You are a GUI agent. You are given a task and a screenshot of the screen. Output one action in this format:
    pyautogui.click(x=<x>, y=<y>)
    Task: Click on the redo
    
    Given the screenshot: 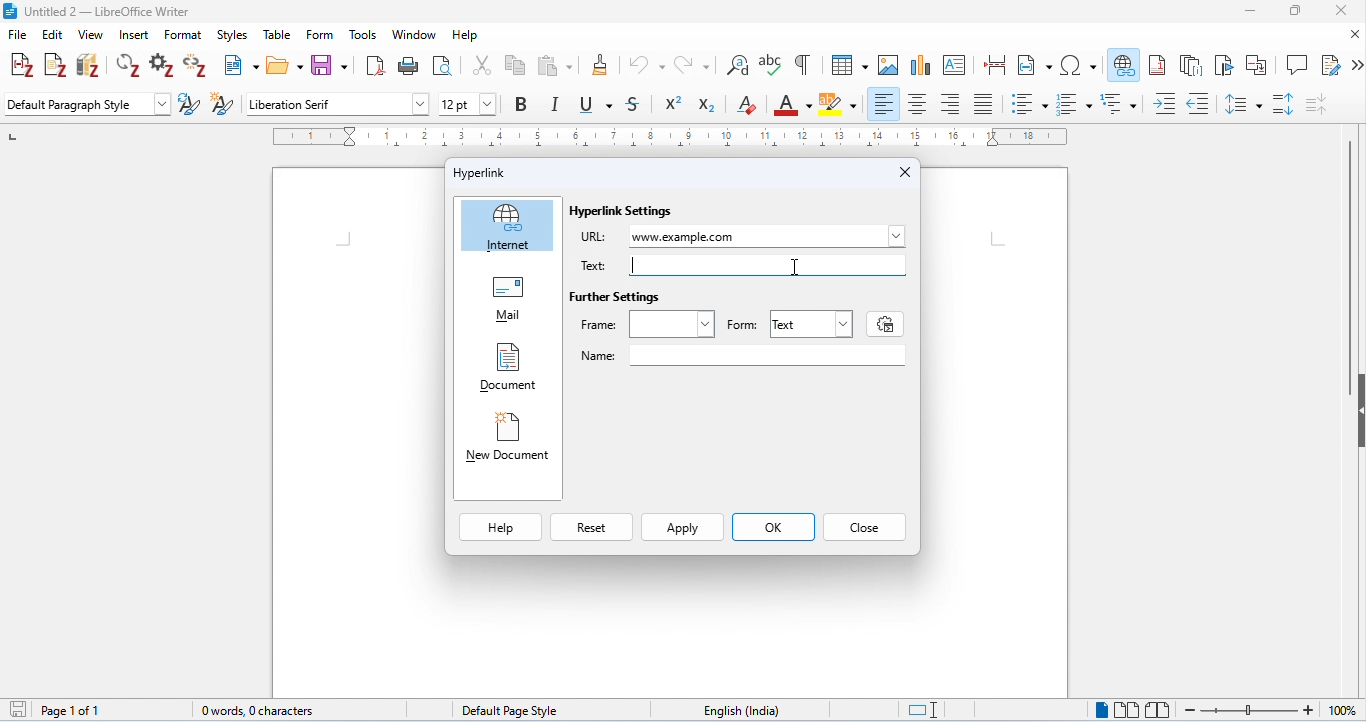 What is the action you would take?
    pyautogui.click(x=692, y=65)
    